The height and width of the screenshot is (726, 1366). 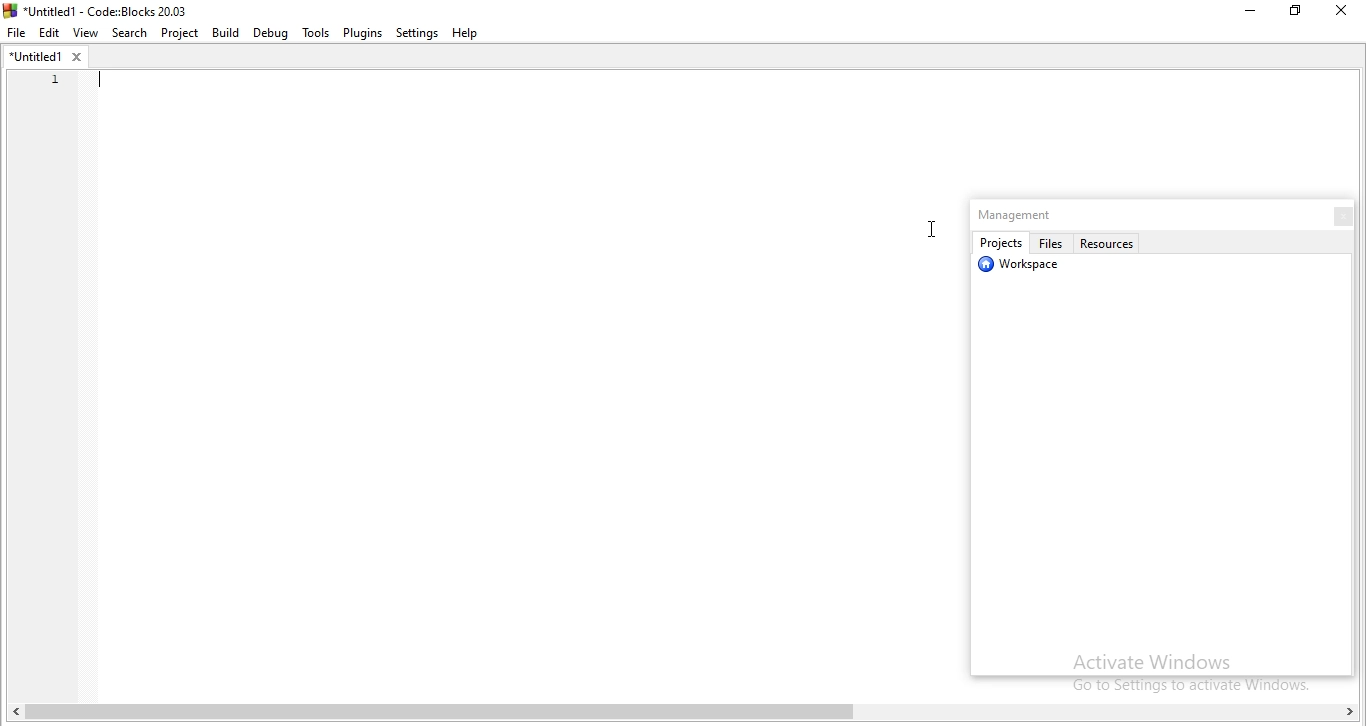 I want to click on Activate Windows
"Go 0 Settings to activate Windows., so click(x=1183, y=670).